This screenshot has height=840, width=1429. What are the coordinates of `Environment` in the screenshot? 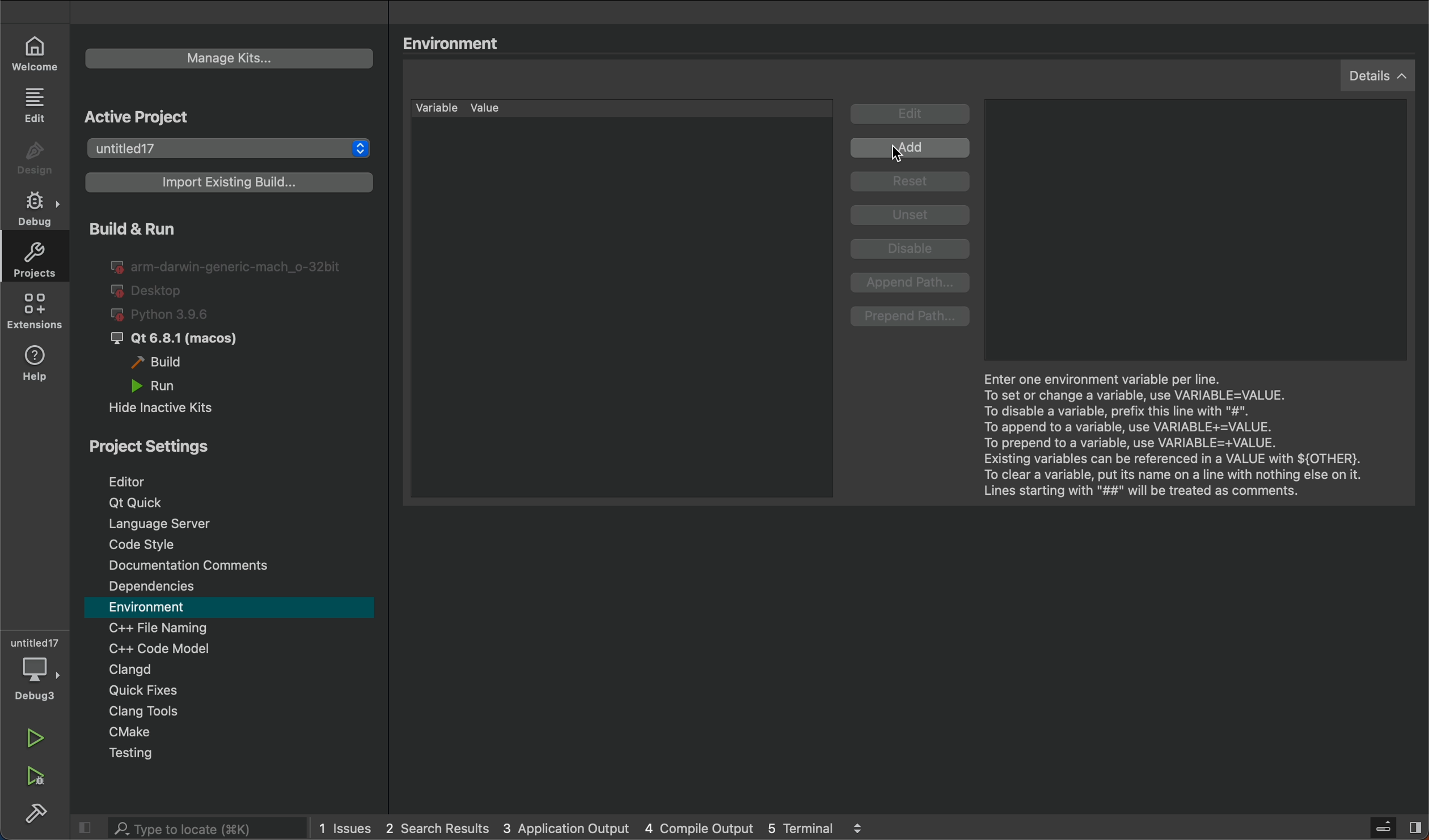 It's located at (455, 43).